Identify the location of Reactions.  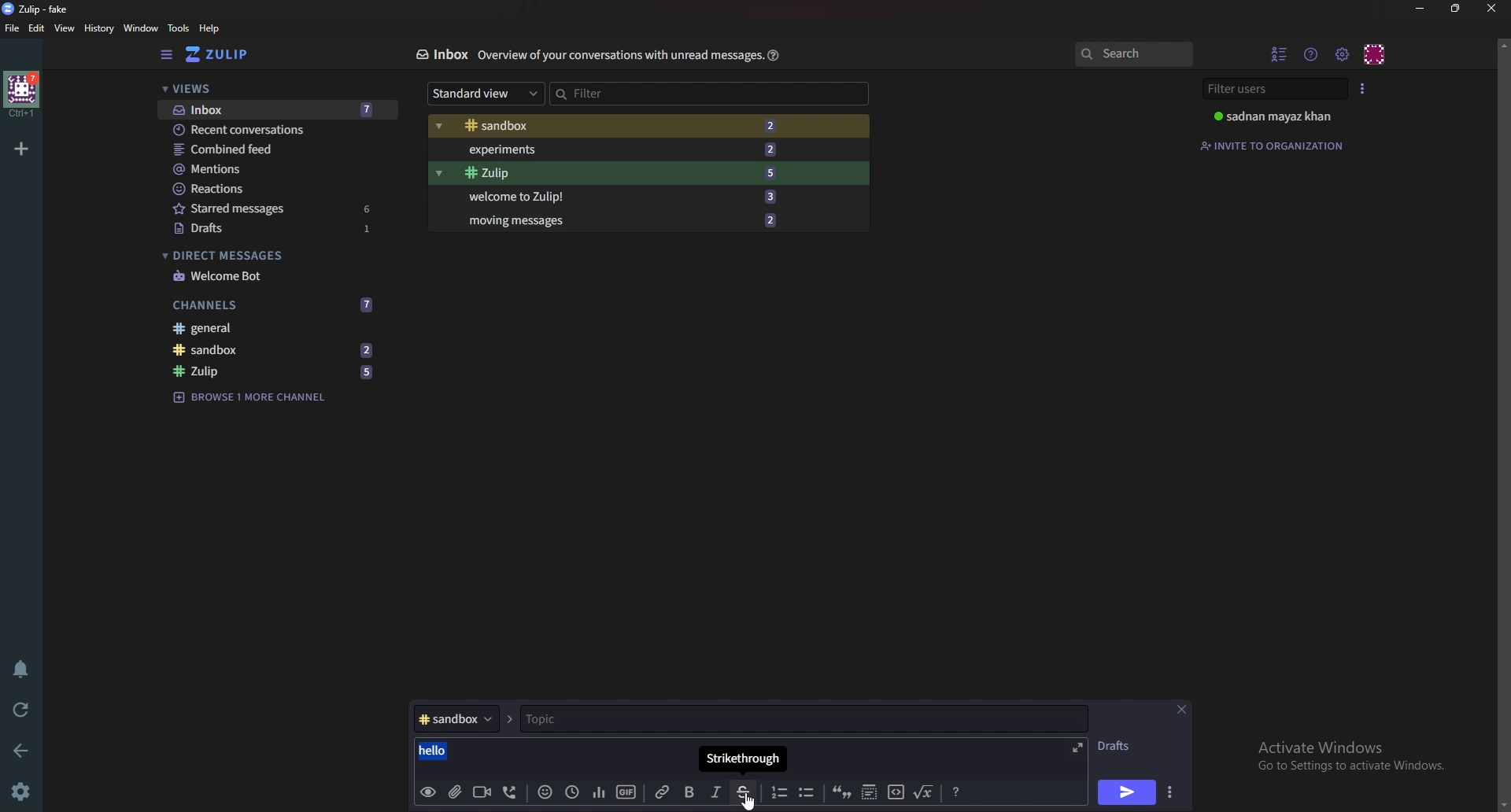
(269, 187).